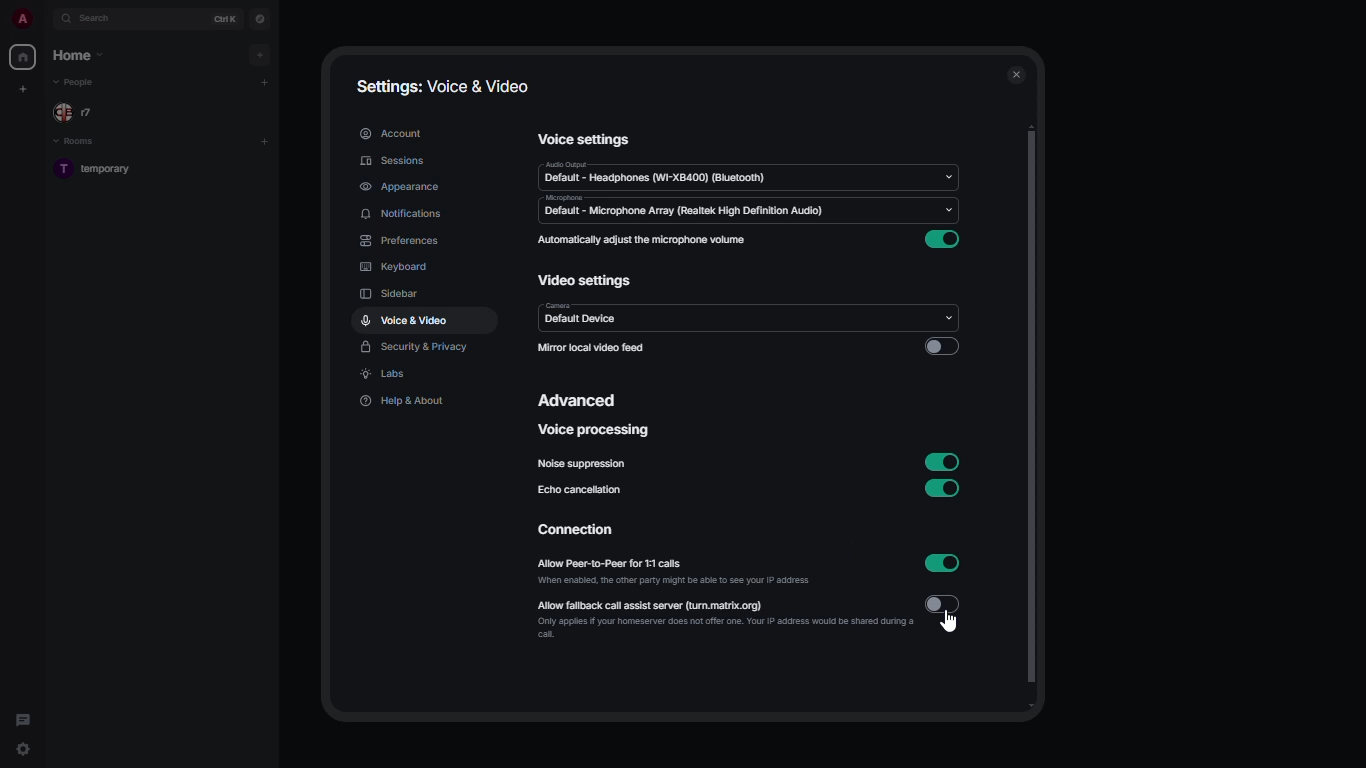 The width and height of the screenshot is (1366, 768). Describe the element at coordinates (655, 174) in the screenshot. I see `audio default` at that location.